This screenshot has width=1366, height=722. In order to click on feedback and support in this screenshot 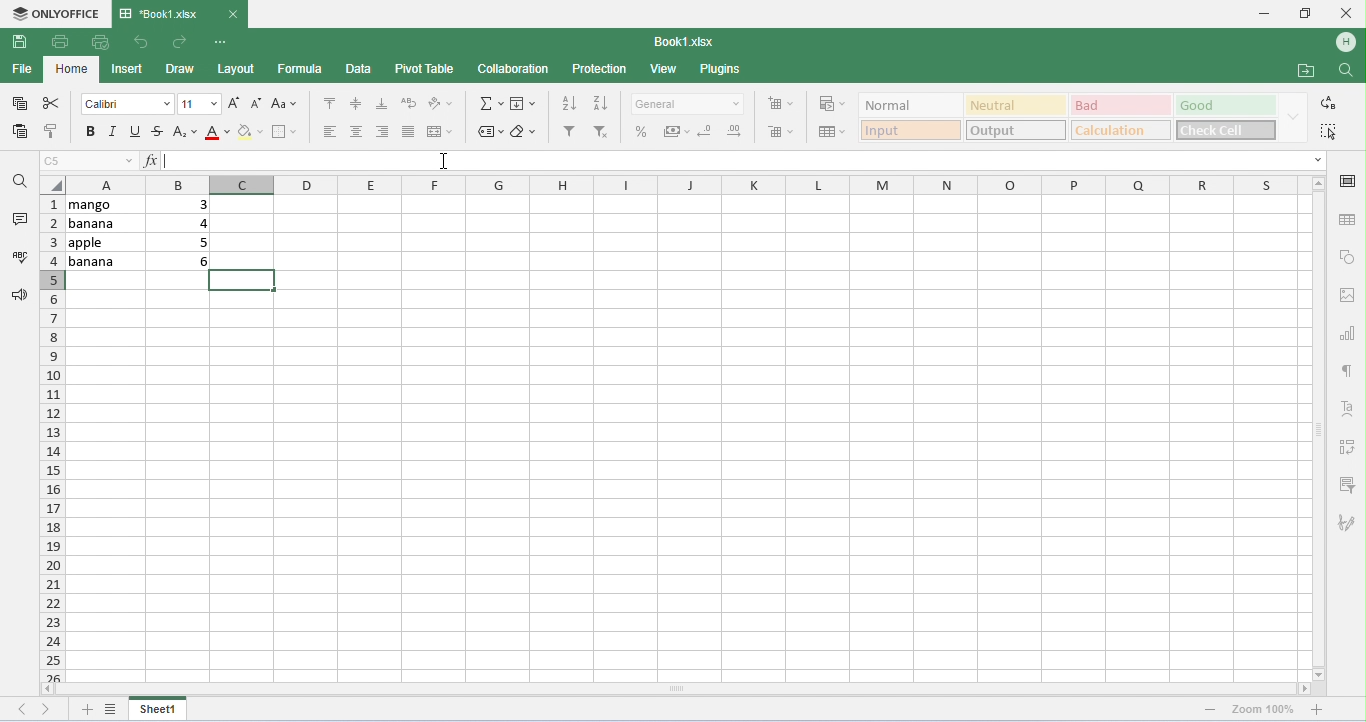, I will do `click(21, 294)`.